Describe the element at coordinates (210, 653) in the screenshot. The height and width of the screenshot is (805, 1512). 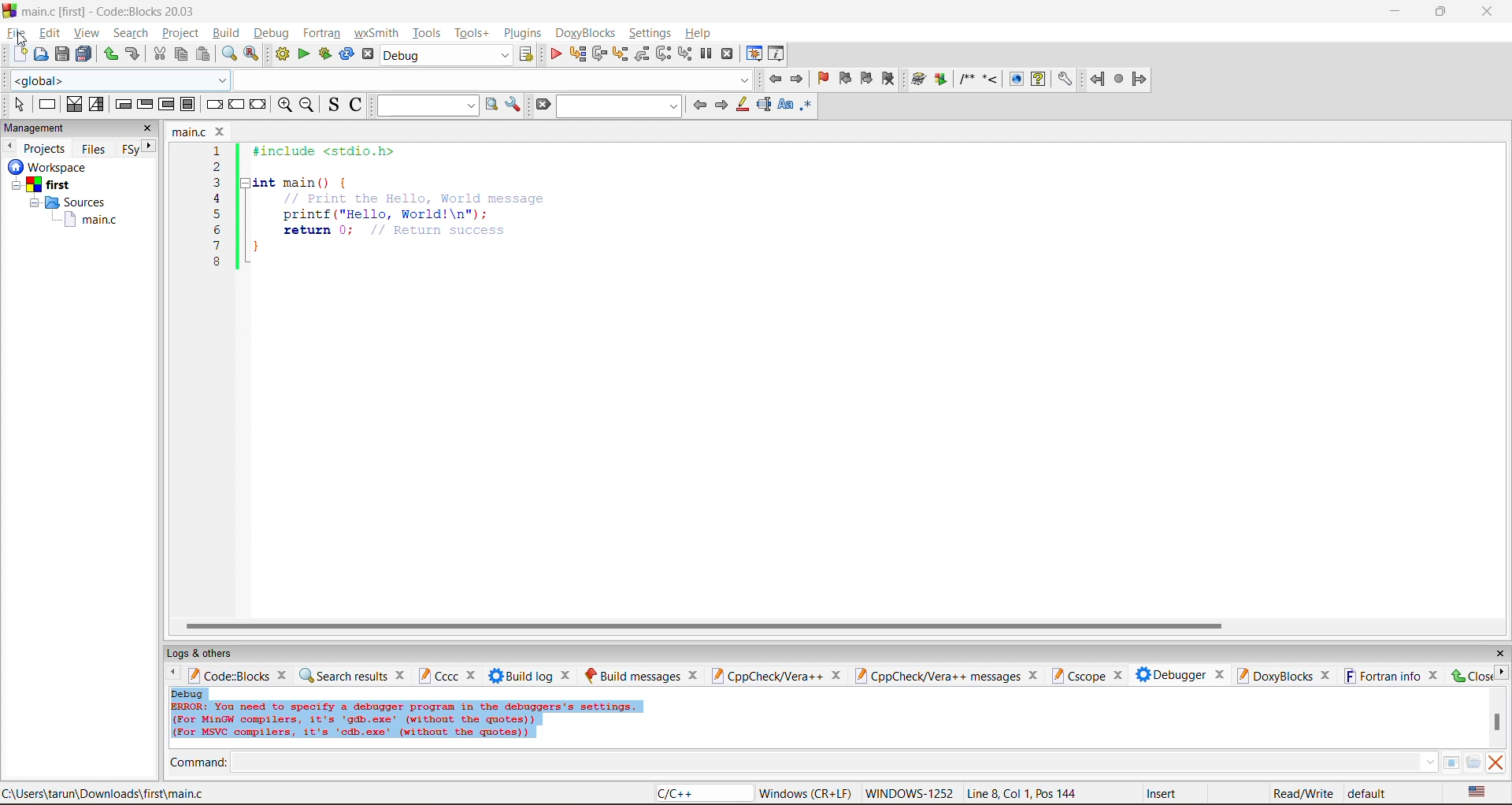
I see `logs and others` at that location.